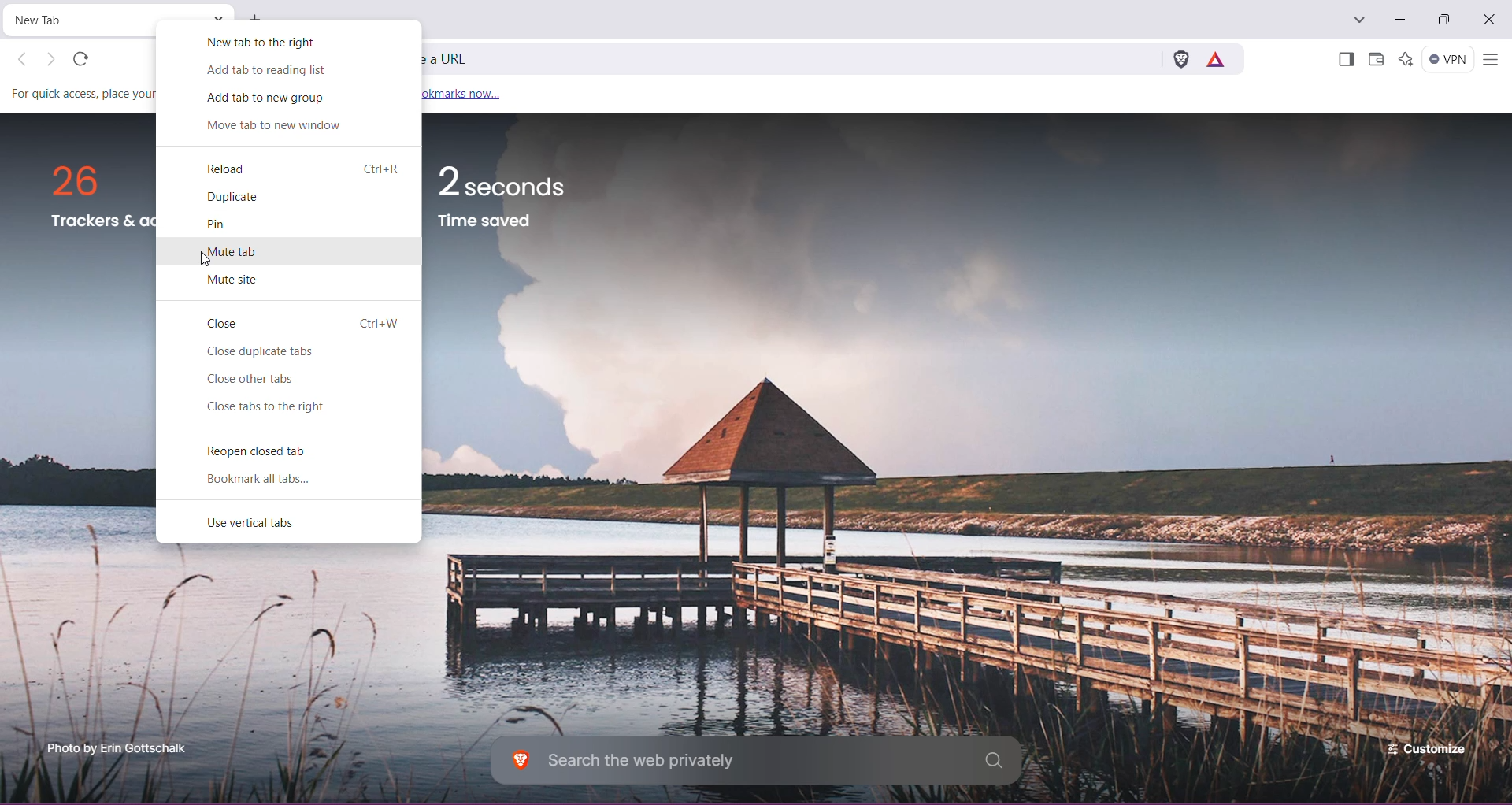 Image resolution: width=1512 pixels, height=805 pixels. I want to click on Brave Firewall + VPN, so click(1450, 59).